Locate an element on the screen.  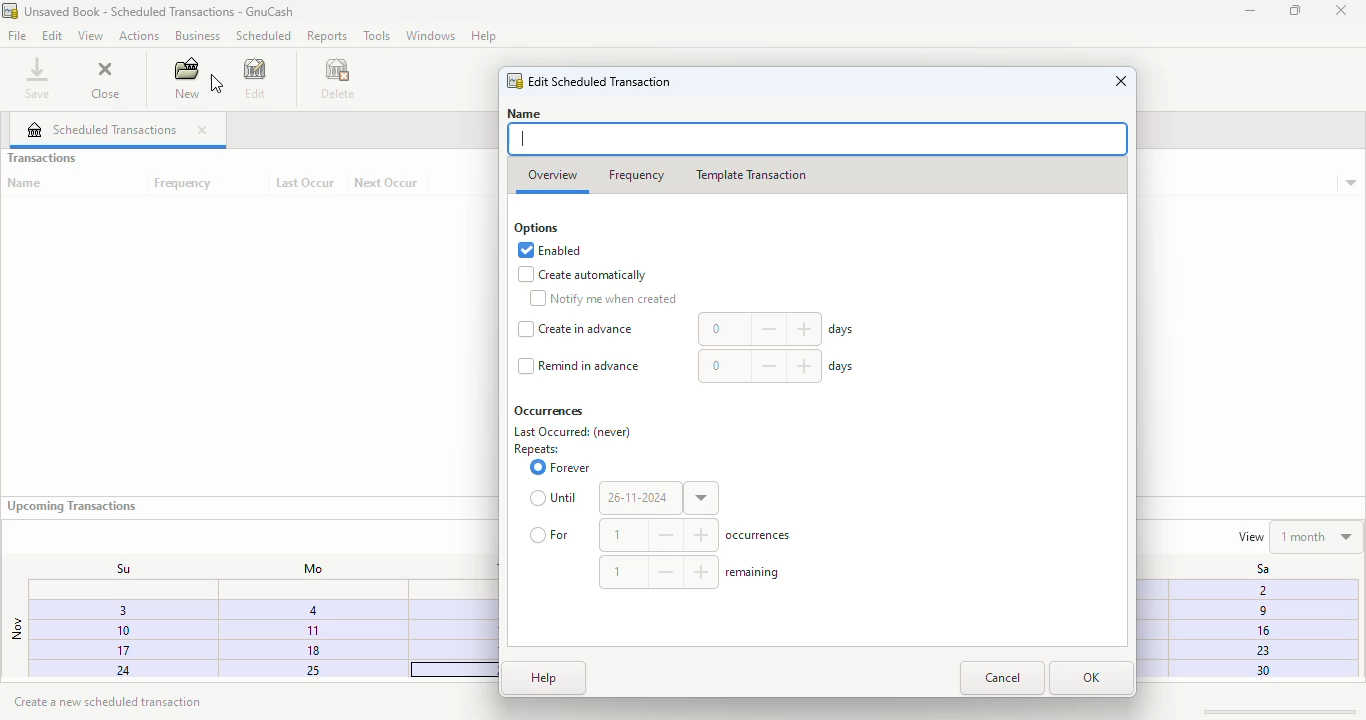
edit scheduled transaction is located at coordinates (601, 81).